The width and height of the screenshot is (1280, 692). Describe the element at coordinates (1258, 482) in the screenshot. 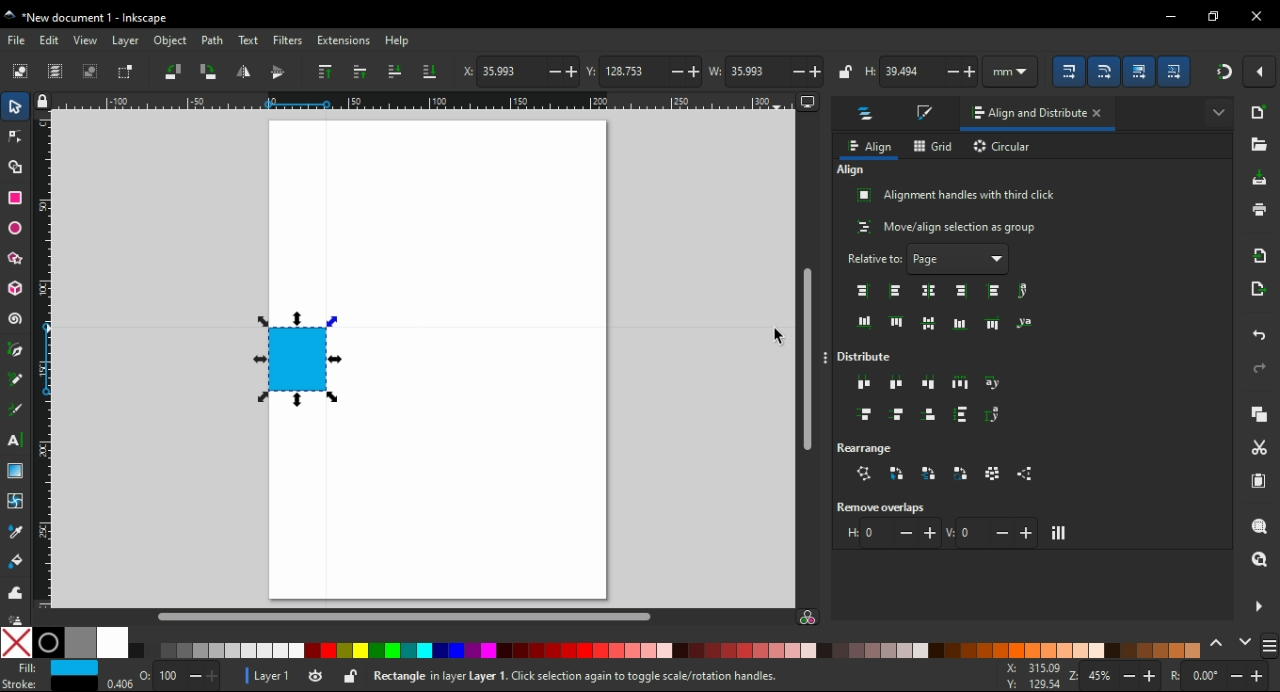

I see `paste` at that location.